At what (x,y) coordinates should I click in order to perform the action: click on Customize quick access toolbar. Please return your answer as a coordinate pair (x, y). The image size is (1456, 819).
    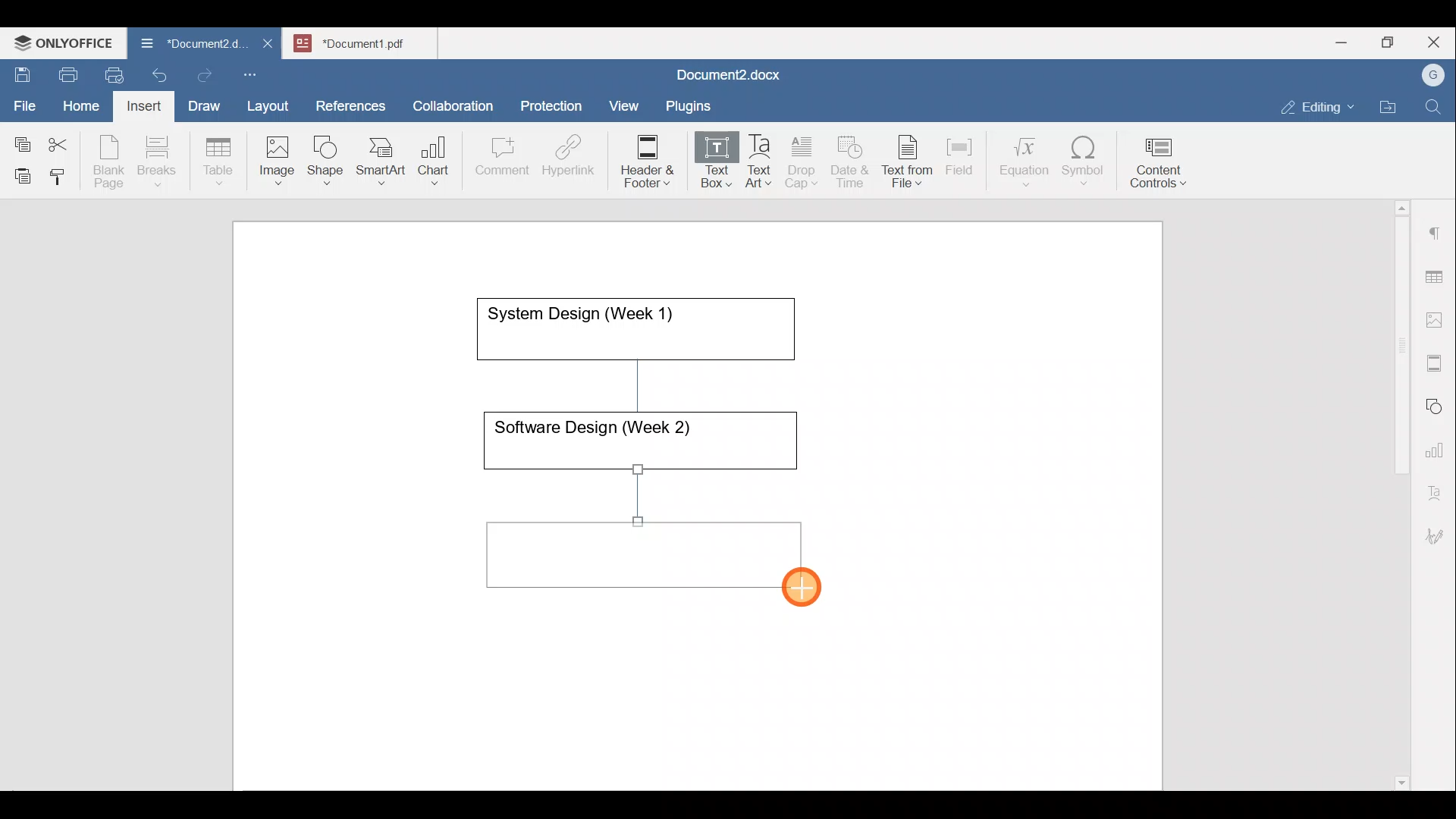
    Looking at the image, I should click on (256, 72).